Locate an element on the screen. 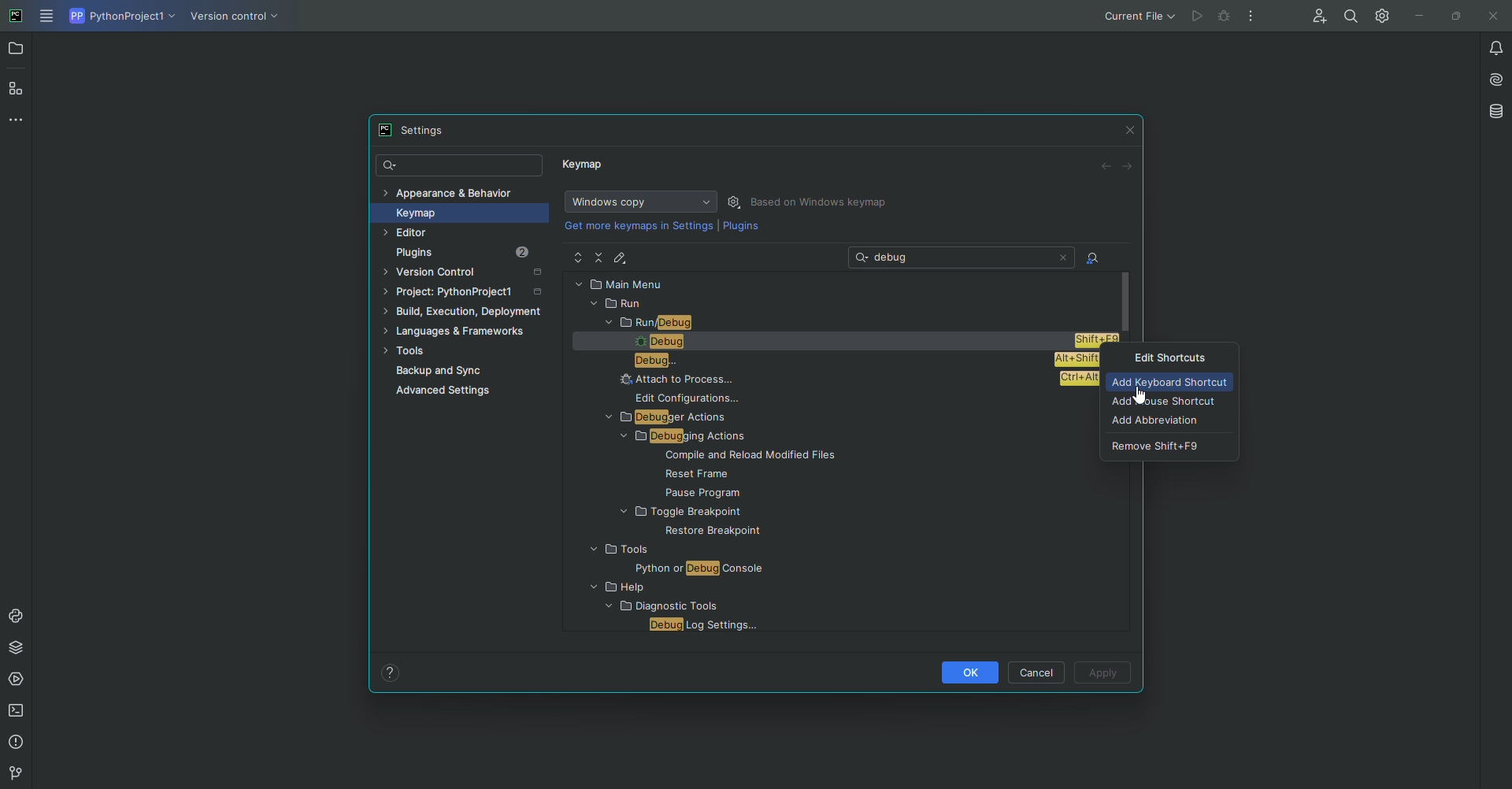 The height and width of the screenshot is (789, 1512). Services is located at coordinates (18, 680).